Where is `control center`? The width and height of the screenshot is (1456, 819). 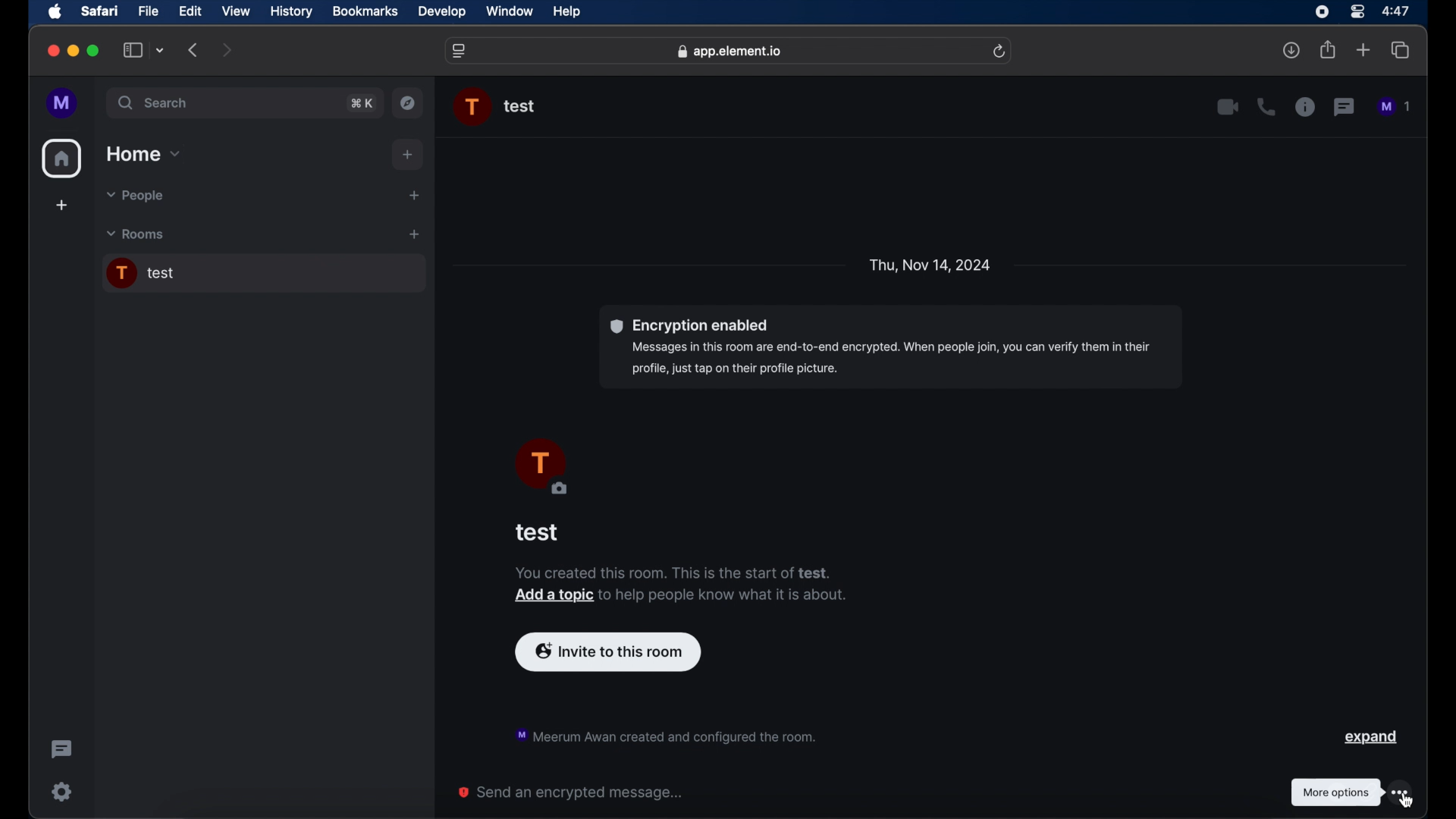 control center is located at coordinates (1356, 11).